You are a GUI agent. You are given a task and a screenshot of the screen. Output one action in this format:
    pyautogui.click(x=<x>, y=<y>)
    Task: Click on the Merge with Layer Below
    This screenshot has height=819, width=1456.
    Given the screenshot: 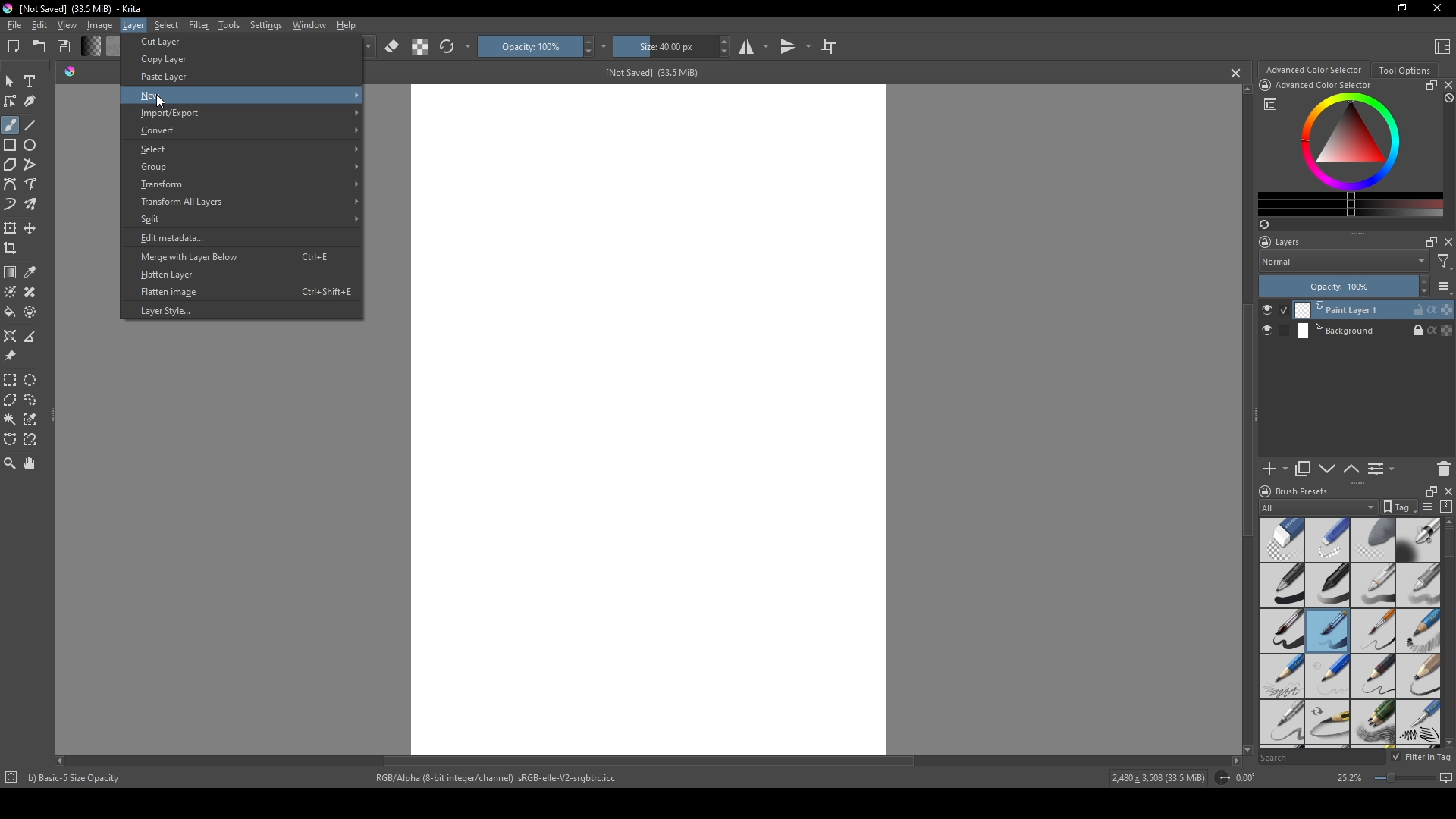 What is the action you would take?
    pyautogui.click(x=238, y=257)
    